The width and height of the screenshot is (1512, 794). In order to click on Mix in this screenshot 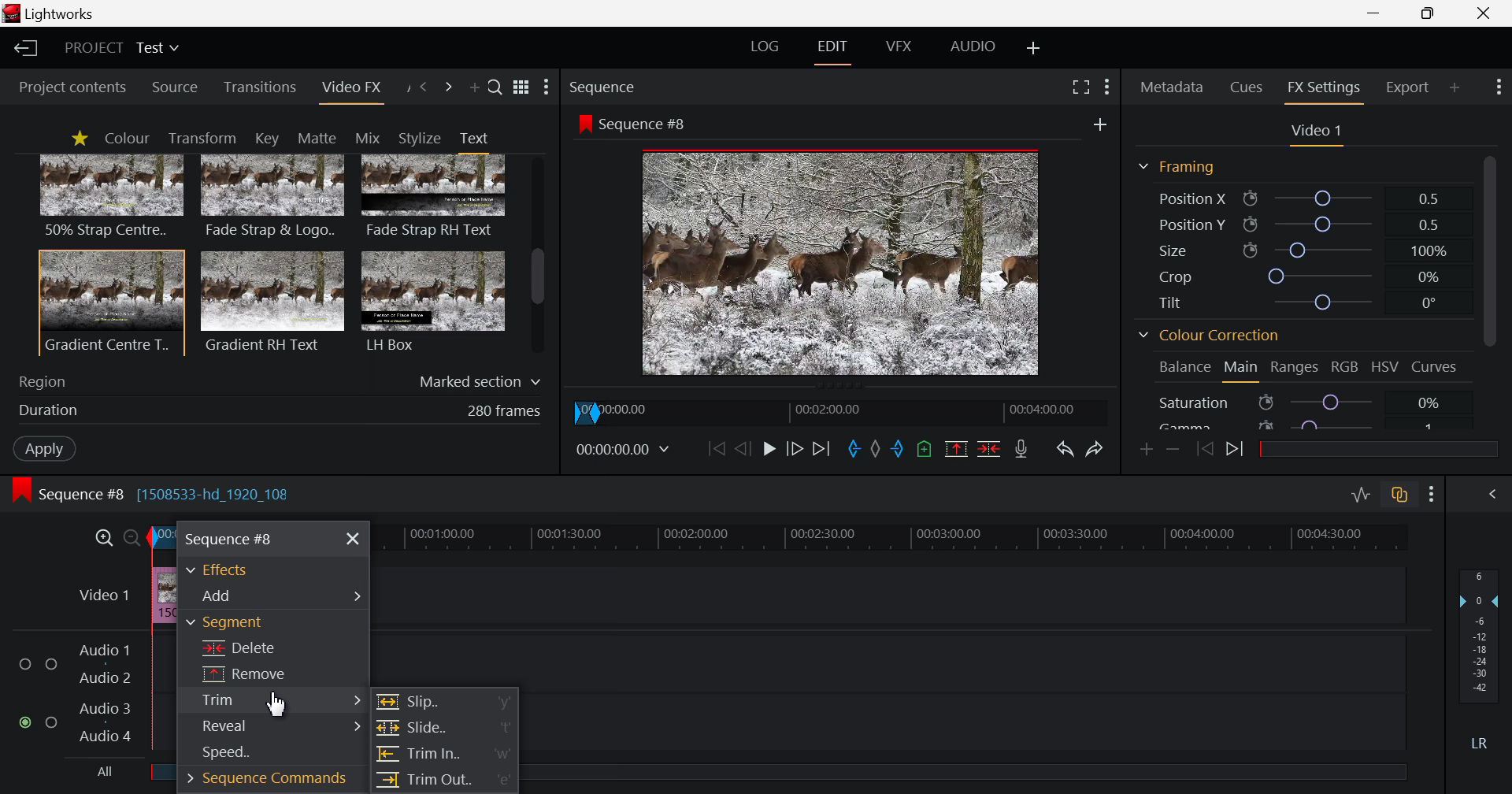, I will do `click(372, 137)`.